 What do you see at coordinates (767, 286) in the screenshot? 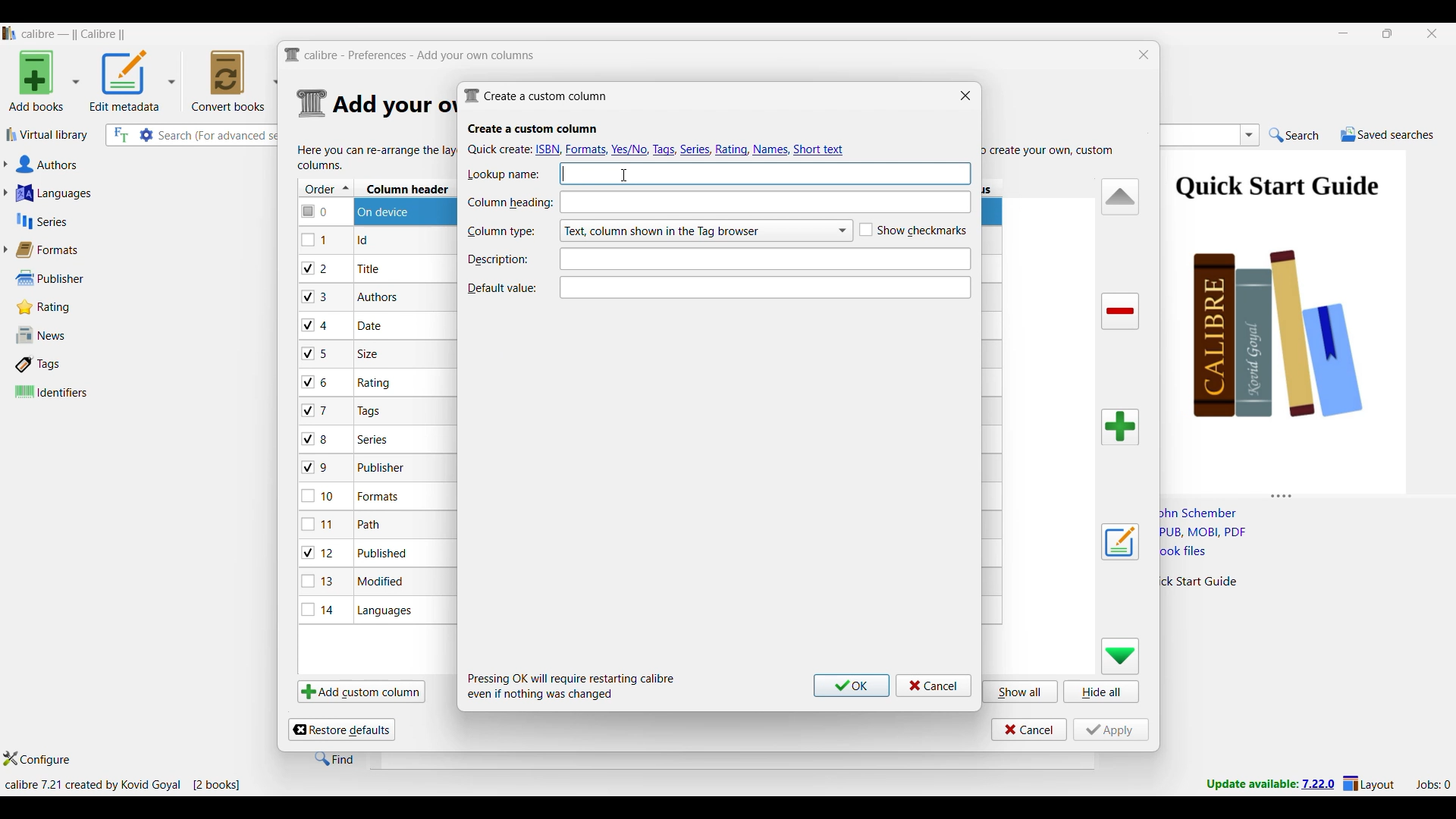
I see `Text` at bounding box center [767, 286].